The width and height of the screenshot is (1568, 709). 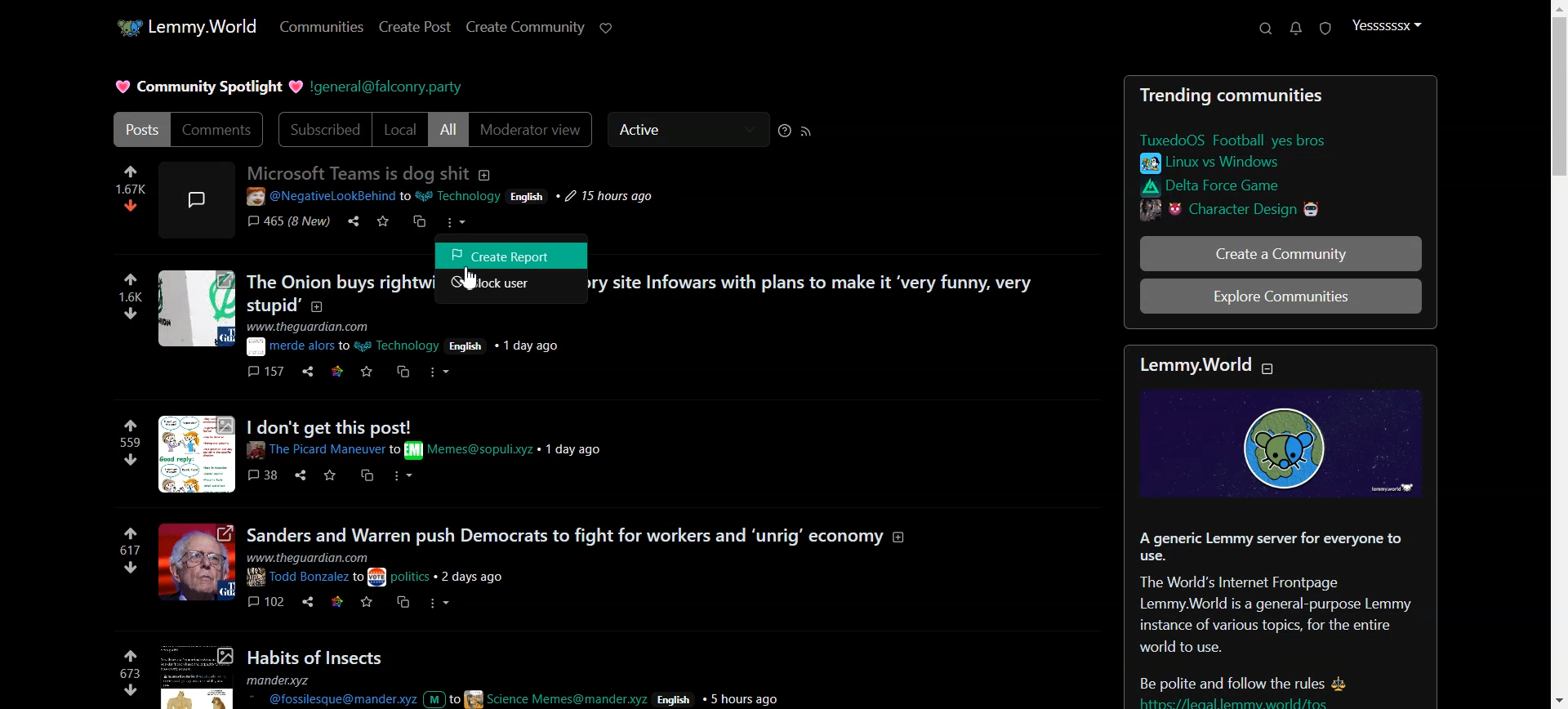 I want to click on Comments, so click(x=220, y=129).